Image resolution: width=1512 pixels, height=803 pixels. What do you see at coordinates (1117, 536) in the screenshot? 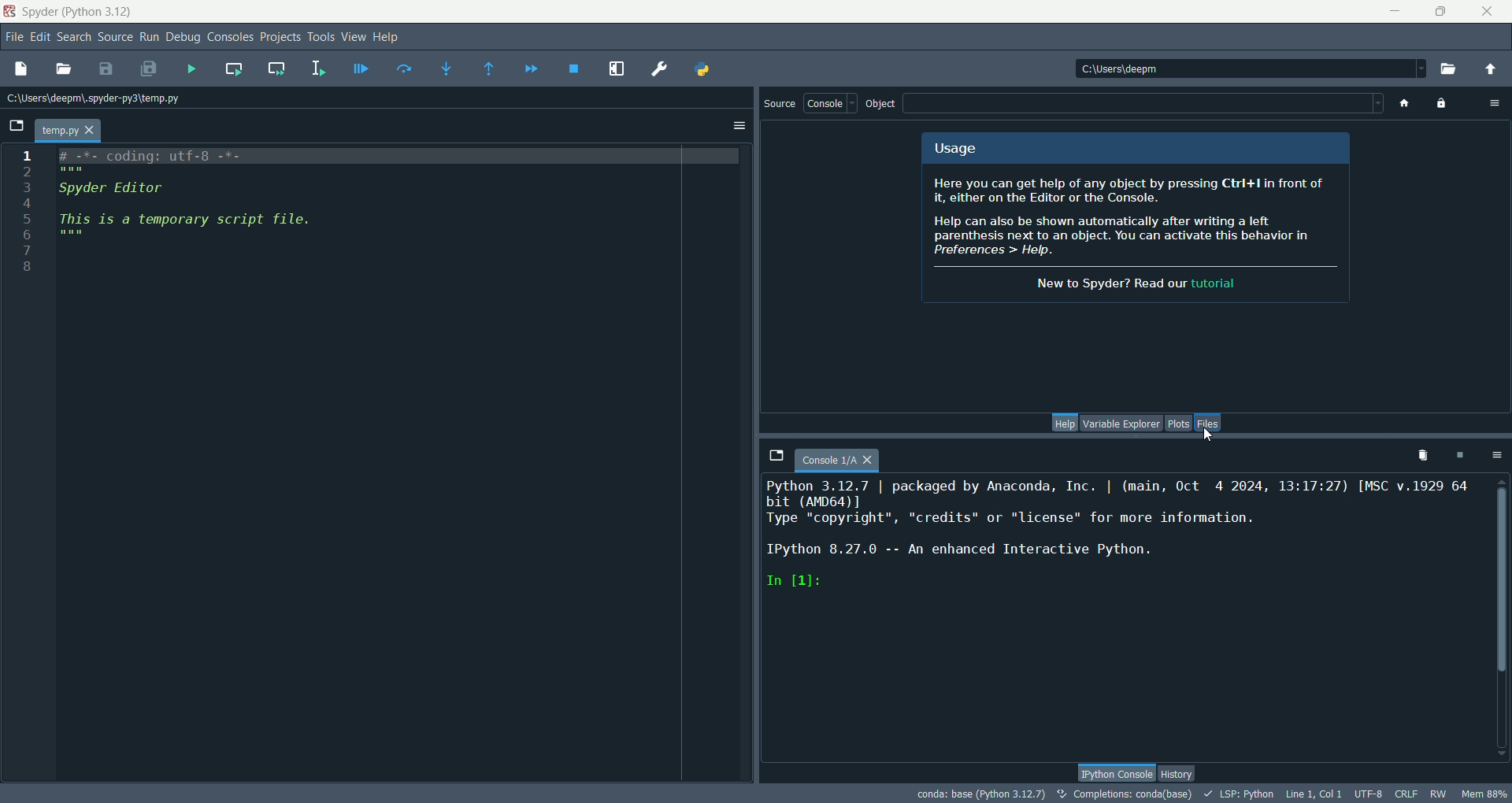
I see `console text` at bounding box center [1117, 536].